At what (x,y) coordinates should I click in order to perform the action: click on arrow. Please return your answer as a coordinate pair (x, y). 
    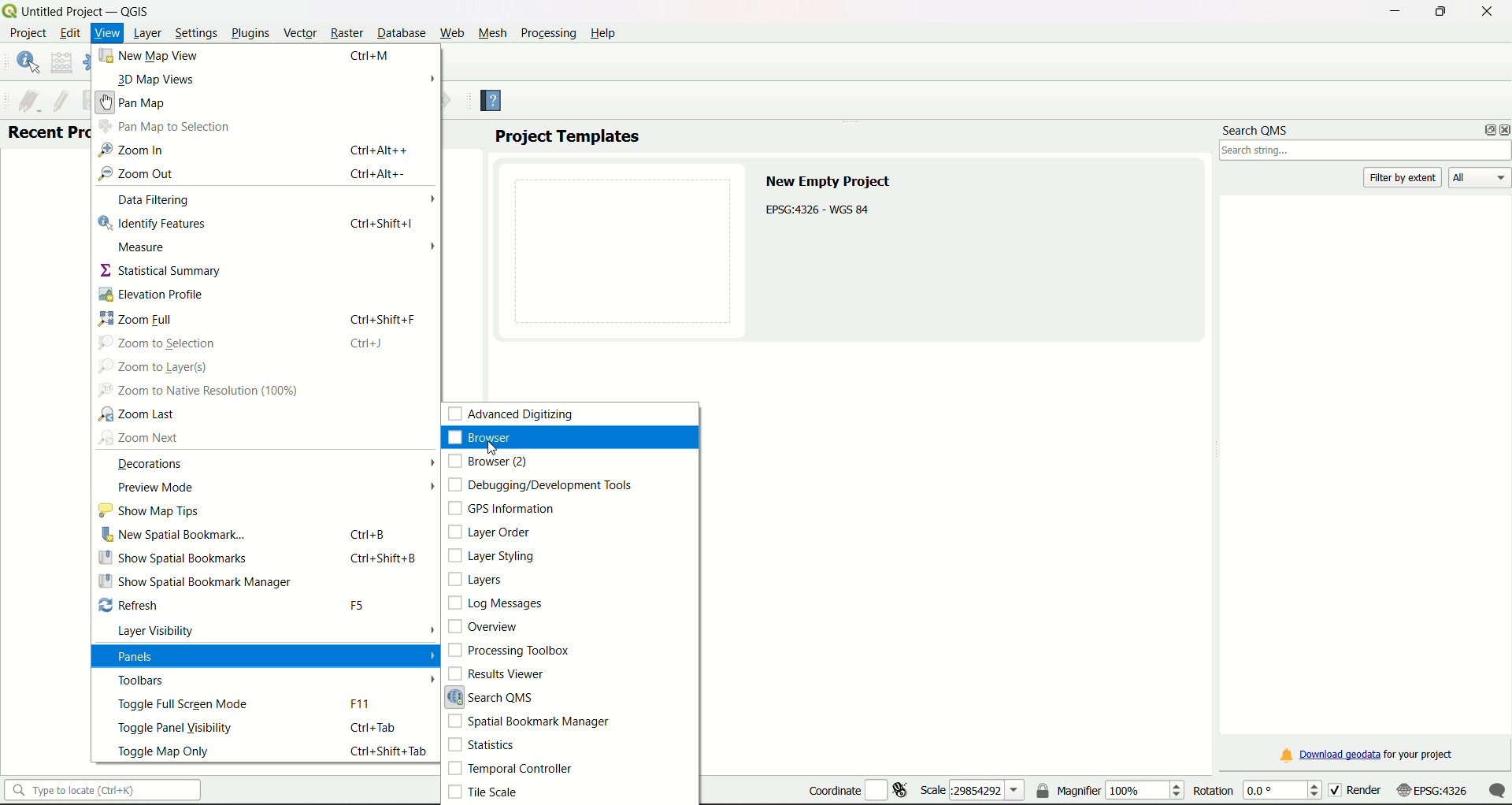
    Looking at the image, I should click on (428, 630).